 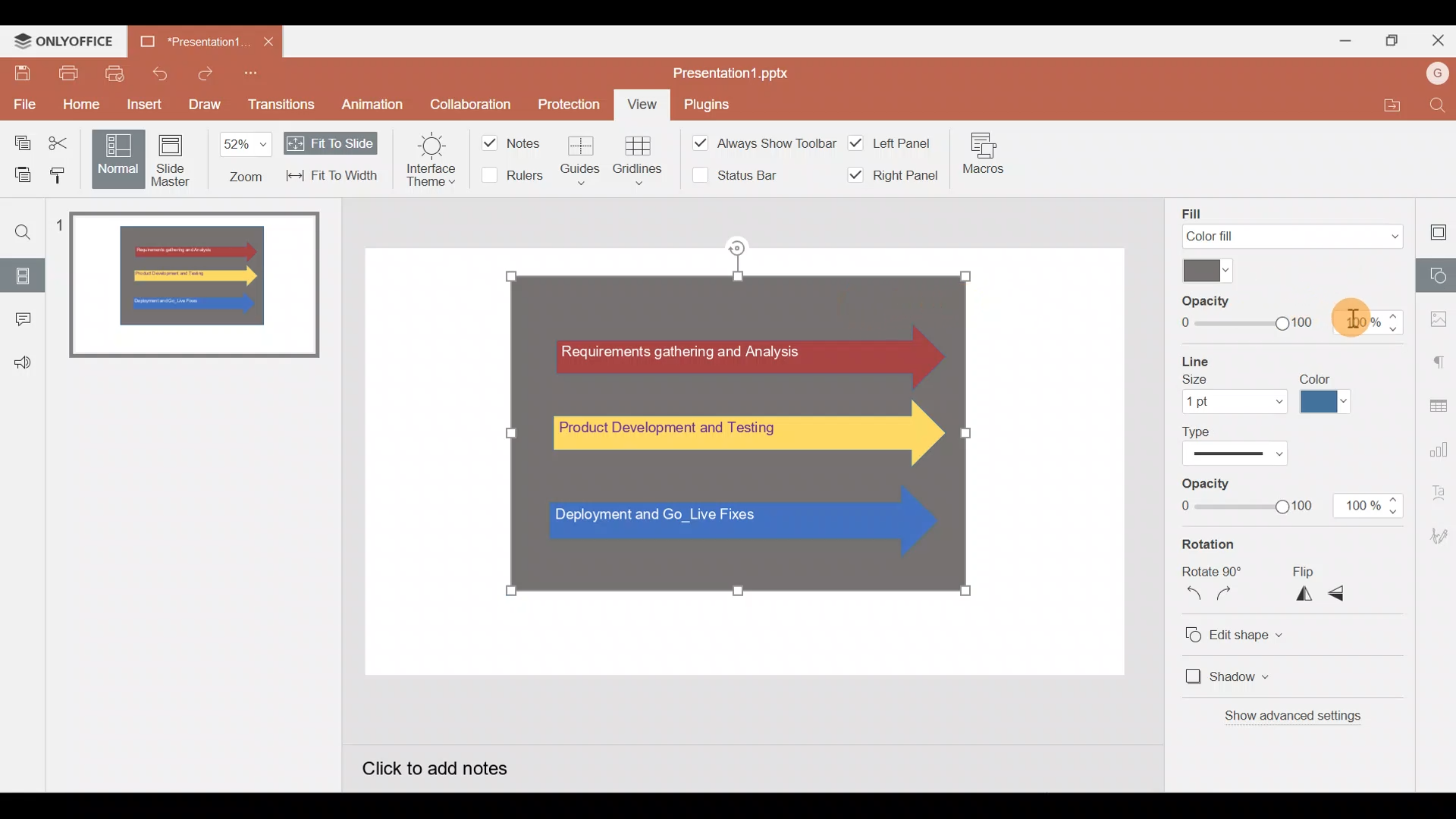 I want to click on Close, so click(x=268, y=42).